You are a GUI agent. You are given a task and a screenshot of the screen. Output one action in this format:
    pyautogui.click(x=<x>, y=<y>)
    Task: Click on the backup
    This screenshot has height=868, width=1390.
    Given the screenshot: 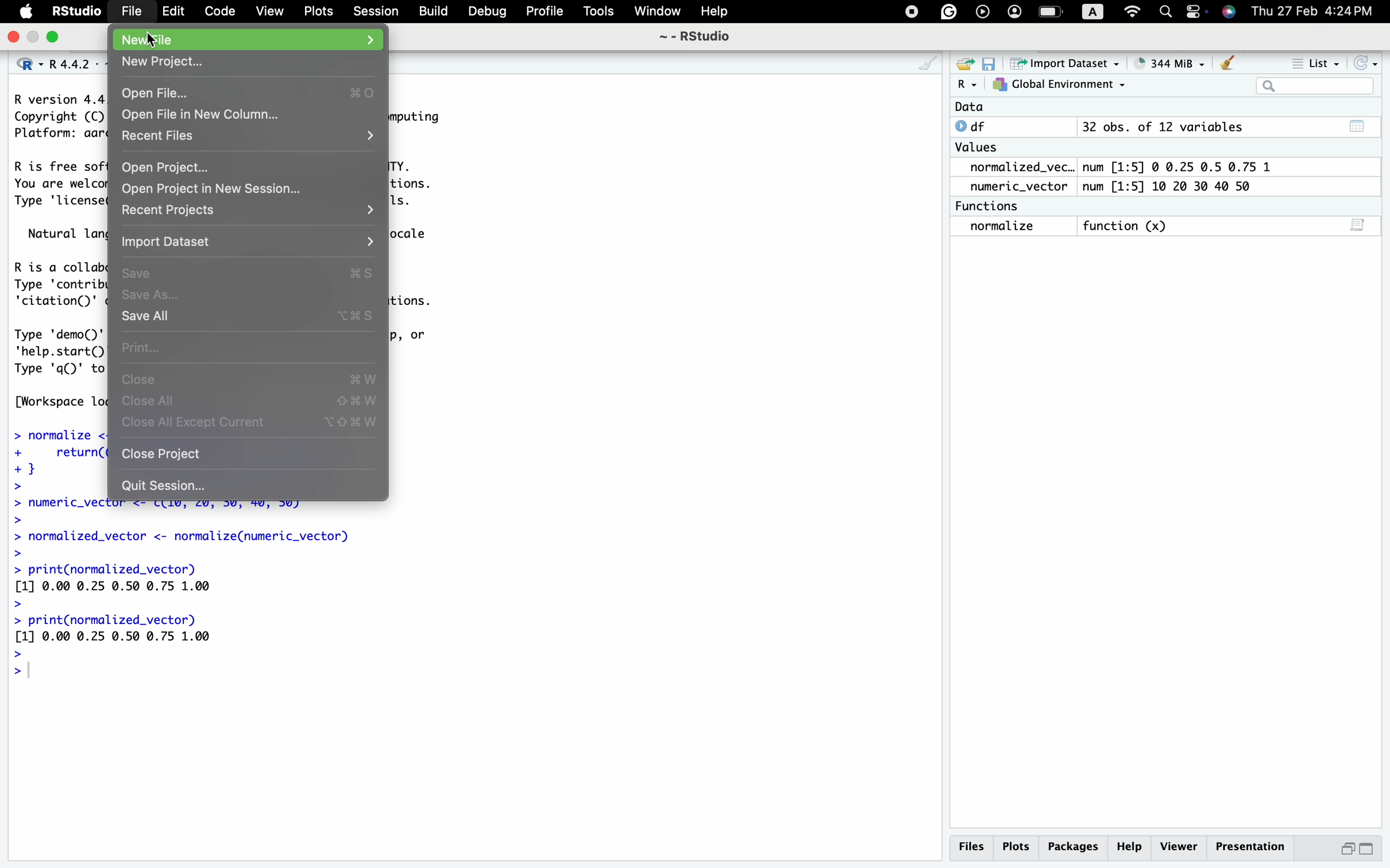 What is the action you would take?
    pyautogui.click(x=980, y=12)
    